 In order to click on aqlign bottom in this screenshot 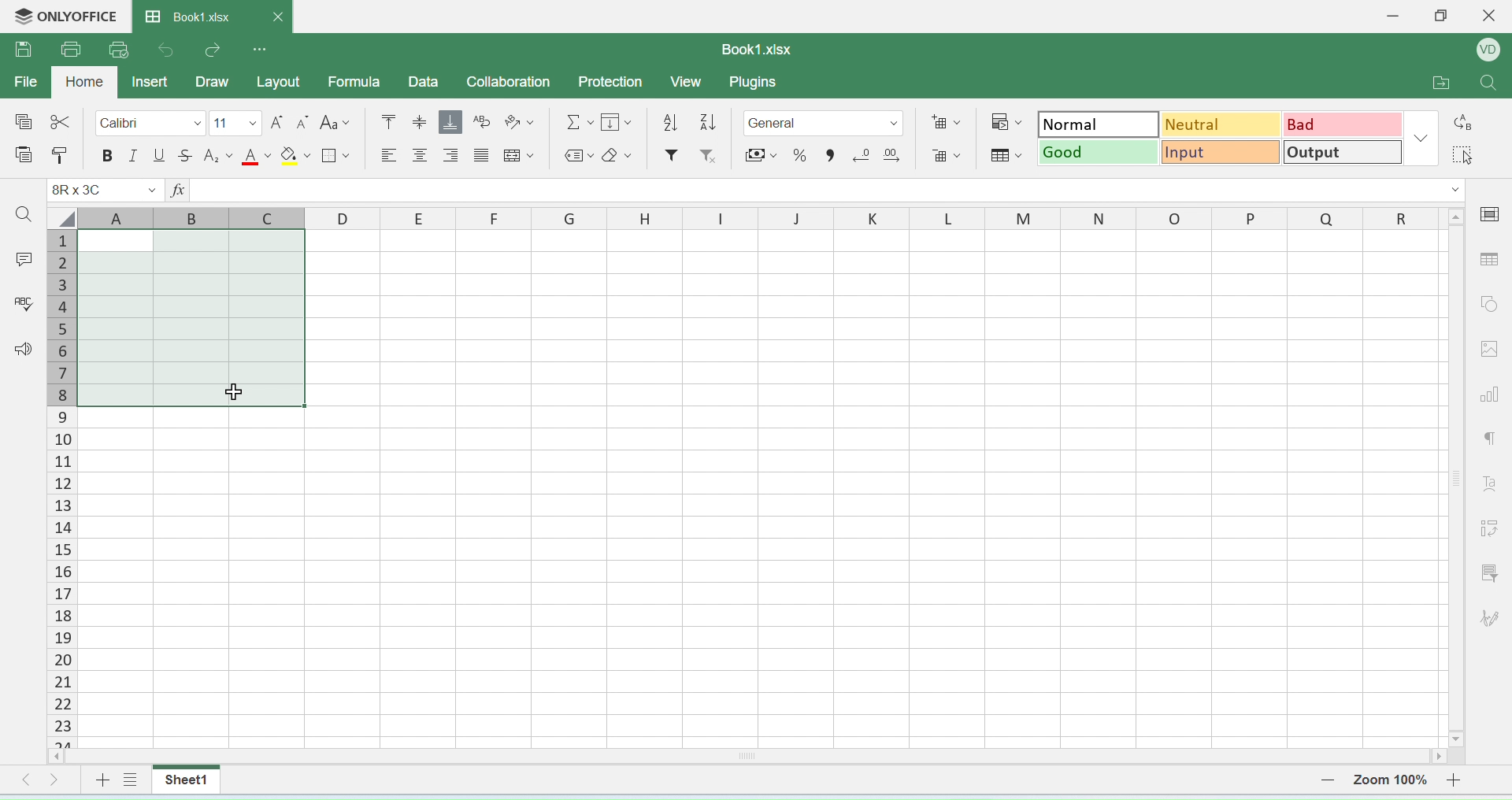, I will do `click(450, 121)`.